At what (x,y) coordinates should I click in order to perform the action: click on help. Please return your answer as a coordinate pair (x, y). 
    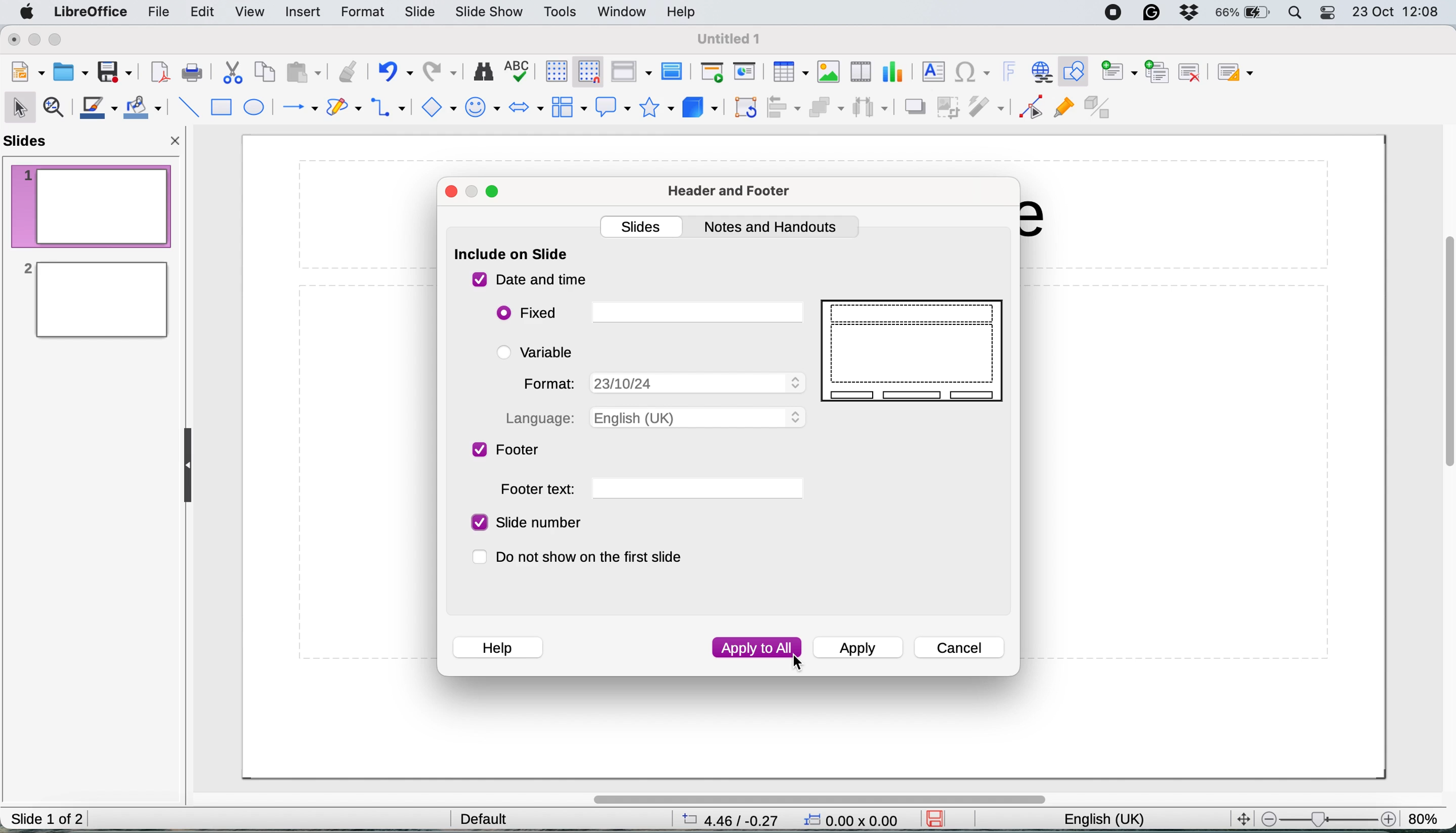
    Looking at the image, I should click on (684, 11).